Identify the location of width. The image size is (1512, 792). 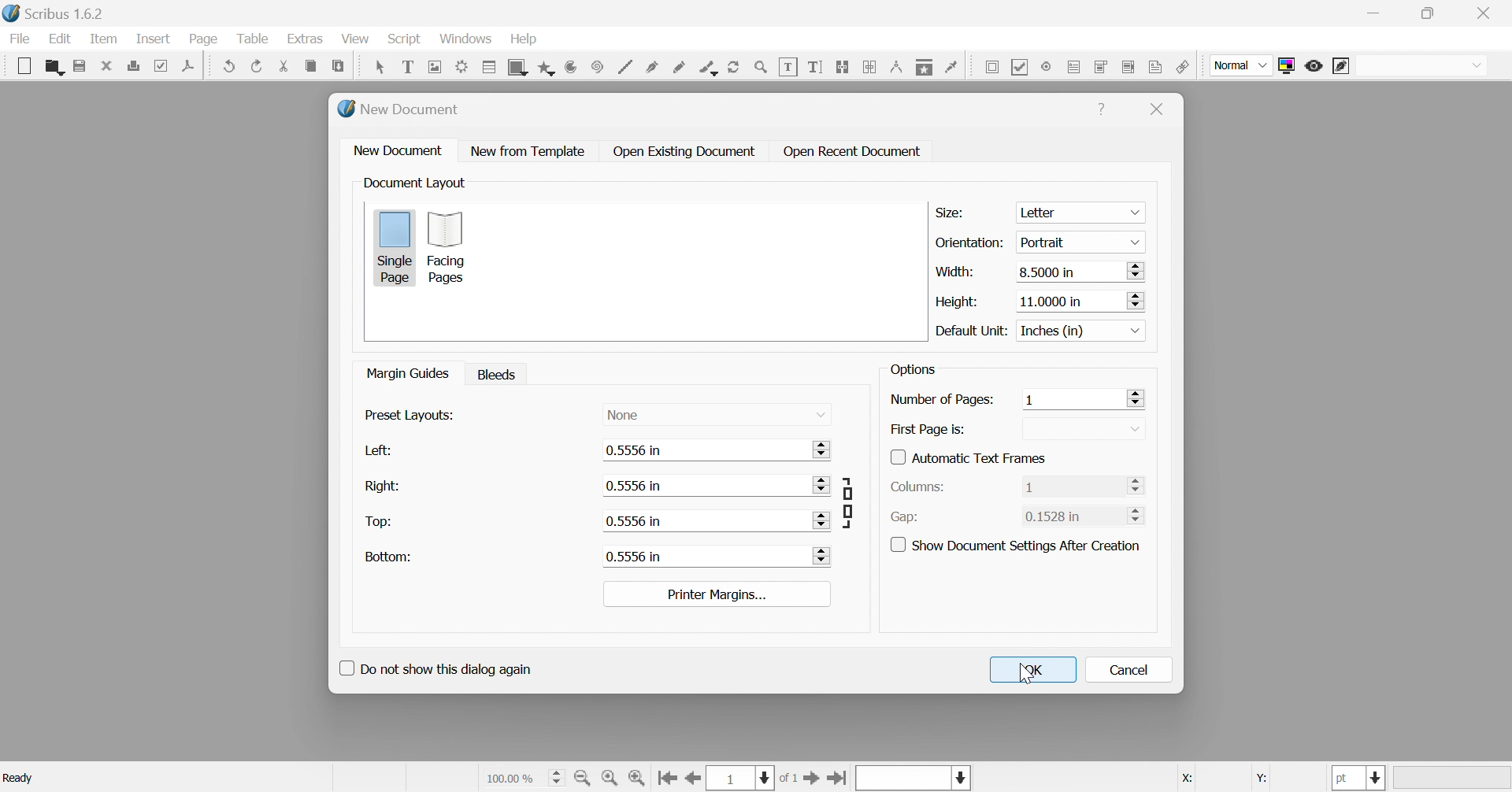
(954, 271).